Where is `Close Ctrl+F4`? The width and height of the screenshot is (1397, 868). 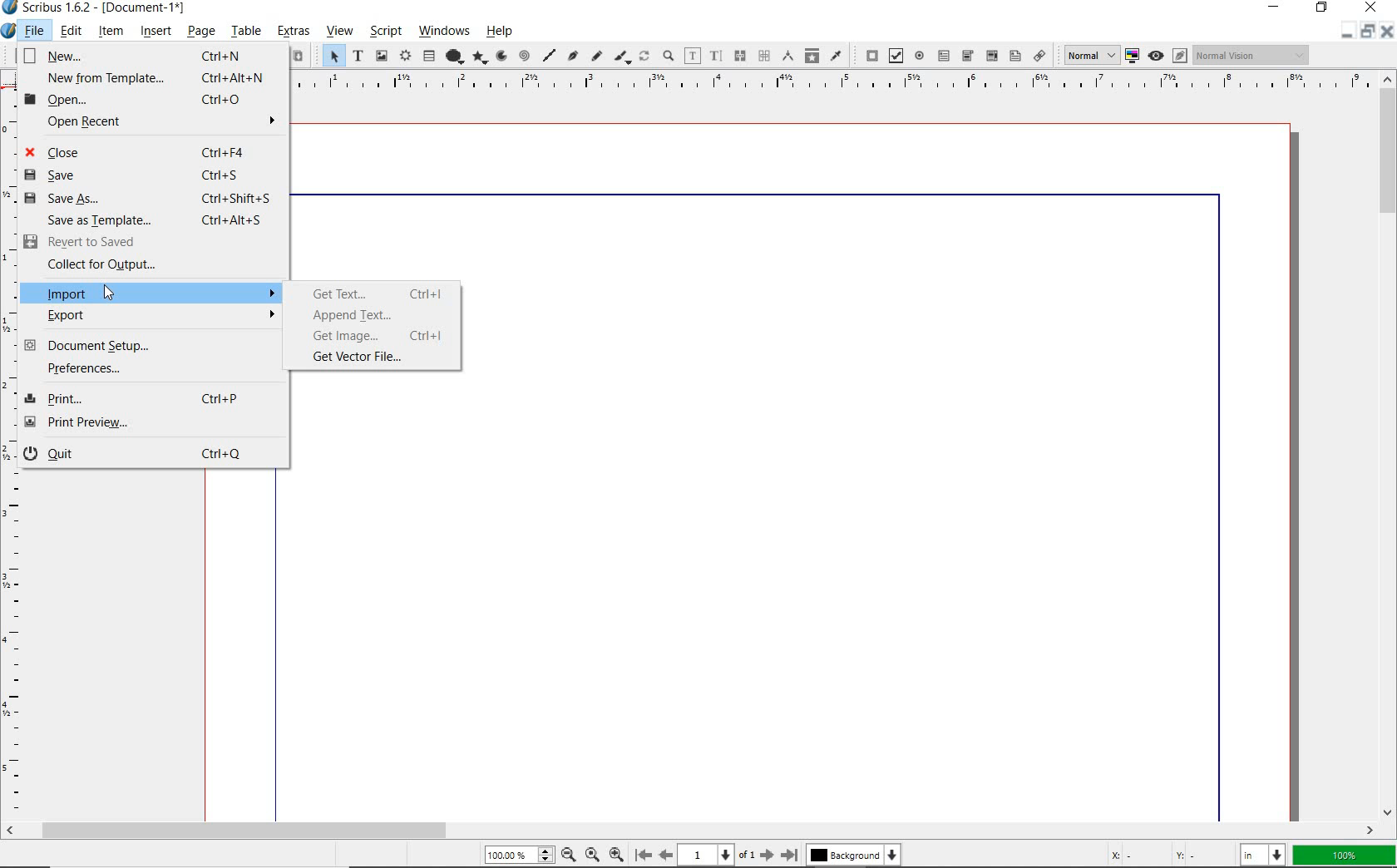
Close Ctrl+F4 is located at coordinates (143, 153).